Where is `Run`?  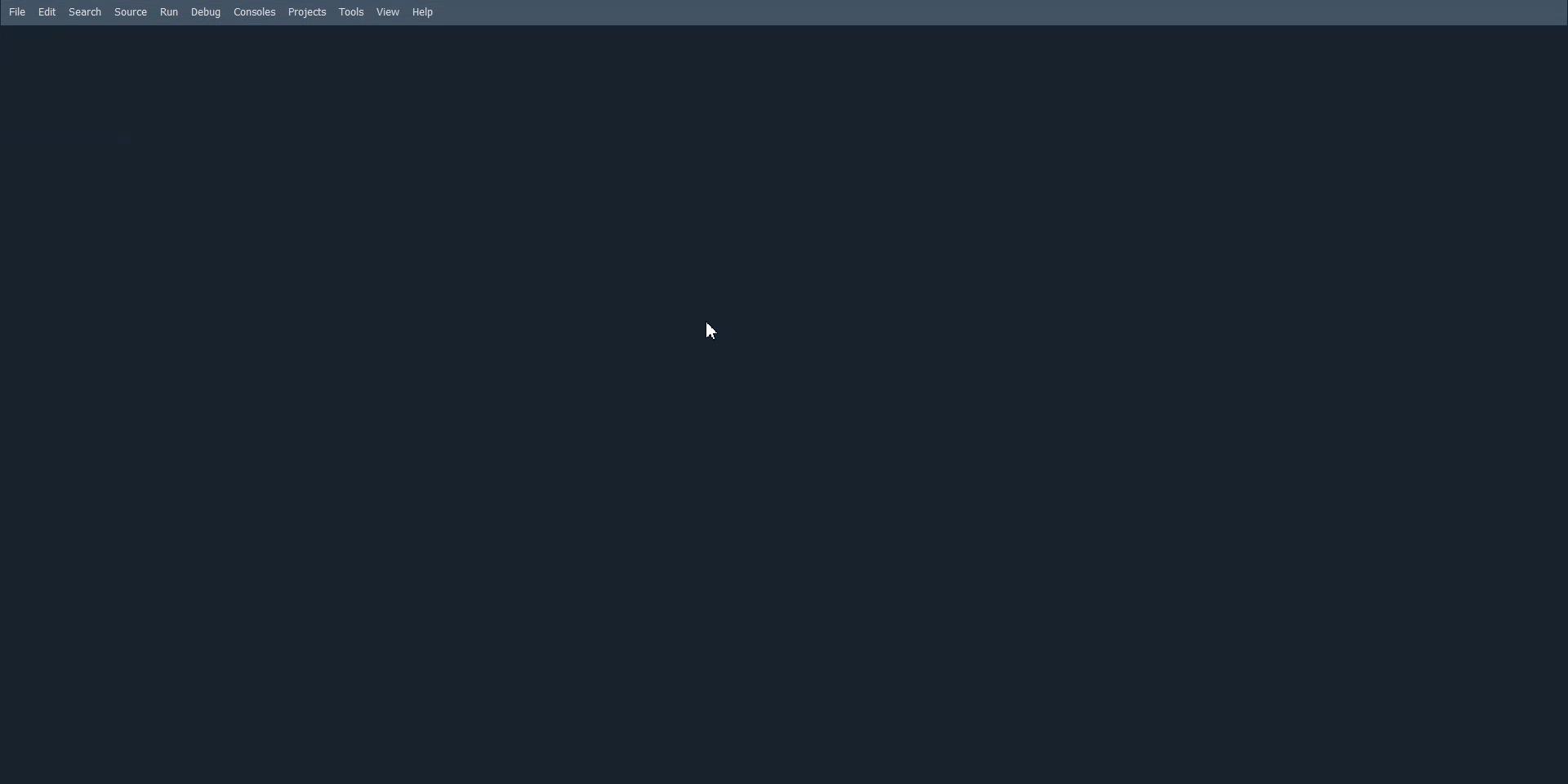 Run is located at coordinates (169, 11).